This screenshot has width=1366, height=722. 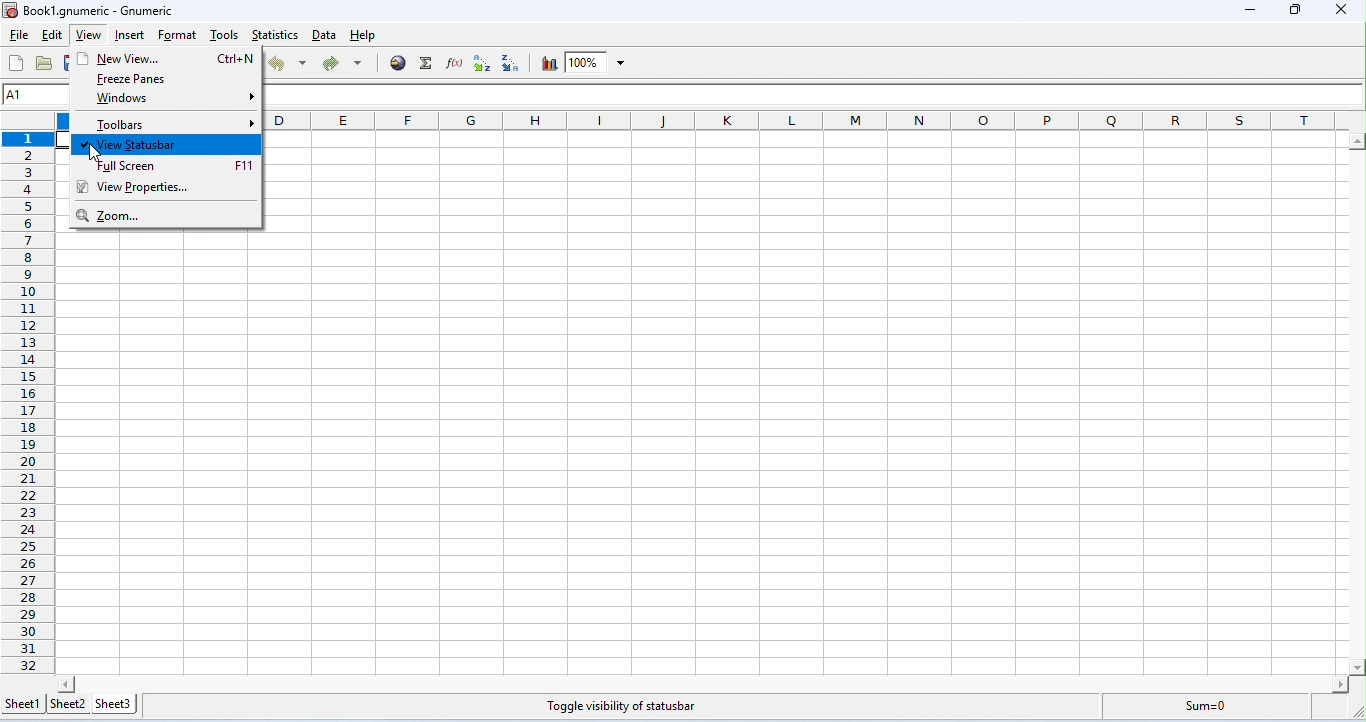 What do you see at coordinates (39, 94) in the screenshot?
I see `selected cell number` at bounding box center [39, 94].